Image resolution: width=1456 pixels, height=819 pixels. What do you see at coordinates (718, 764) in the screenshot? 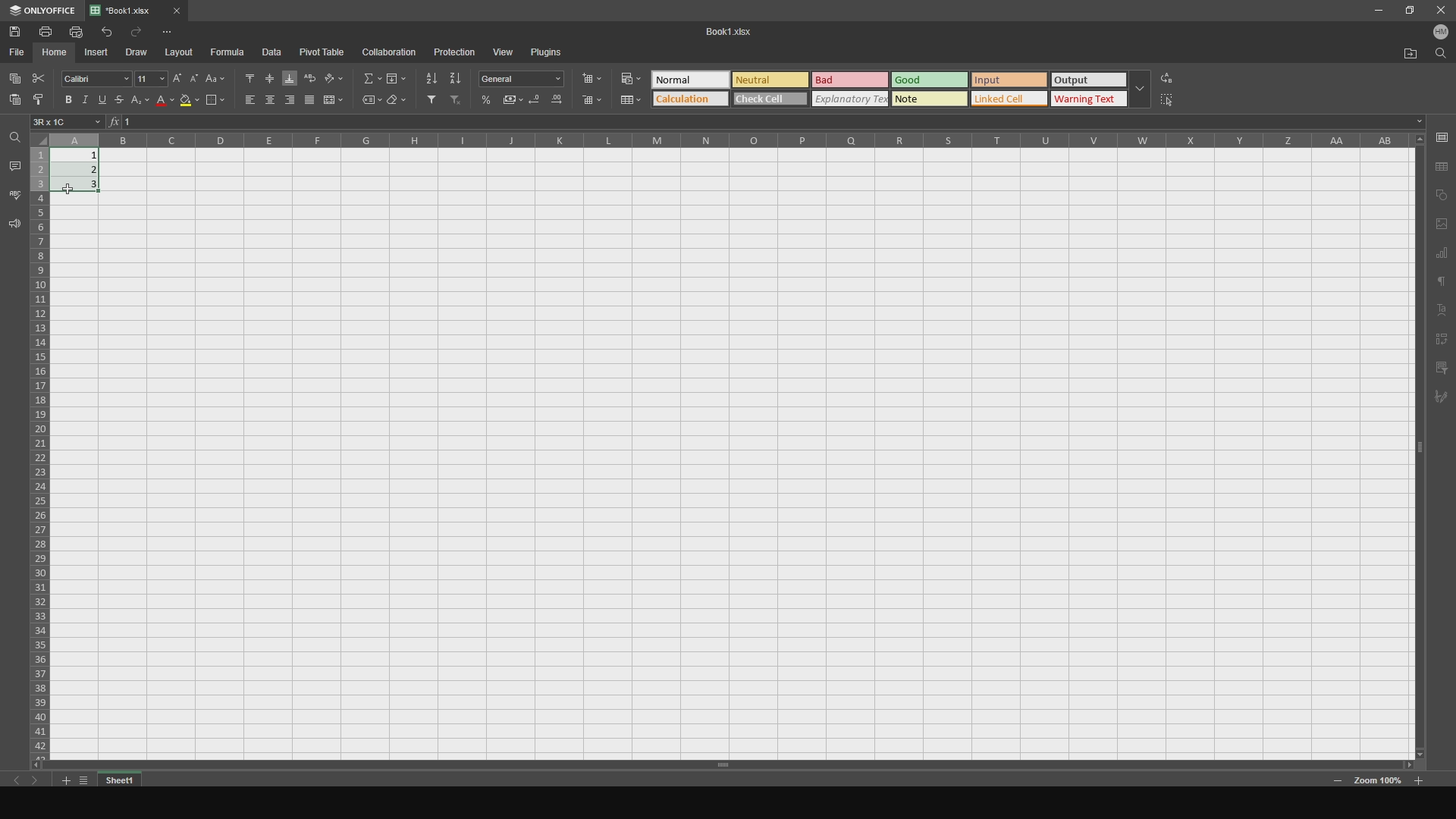
I see `horizontal slider` at bounding box center [718, 764].